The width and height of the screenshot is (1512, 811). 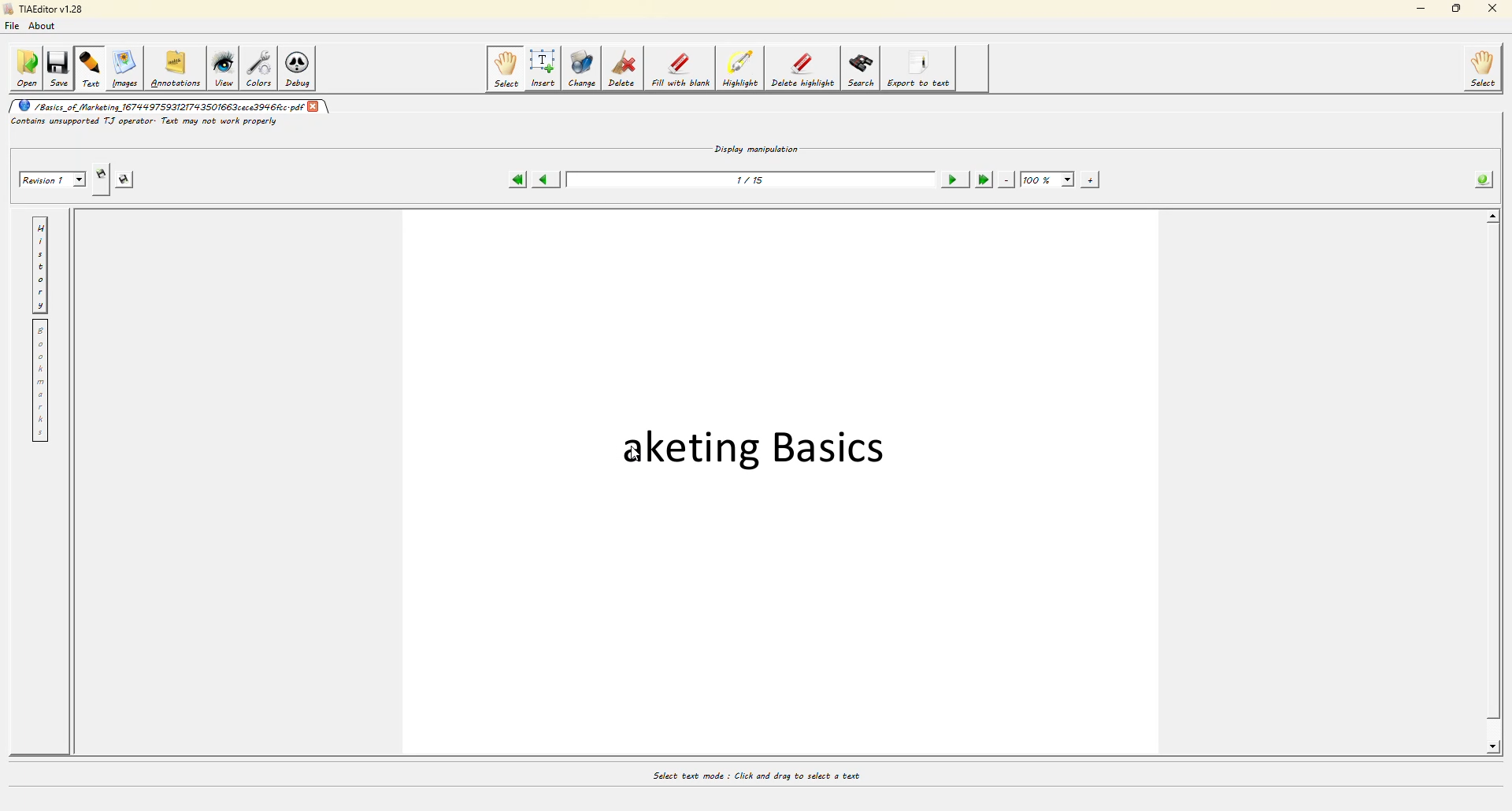 What do you see at coordinates (123, 177) in the screenshot?
I see `save this revision` at bounding box center [123, 177].